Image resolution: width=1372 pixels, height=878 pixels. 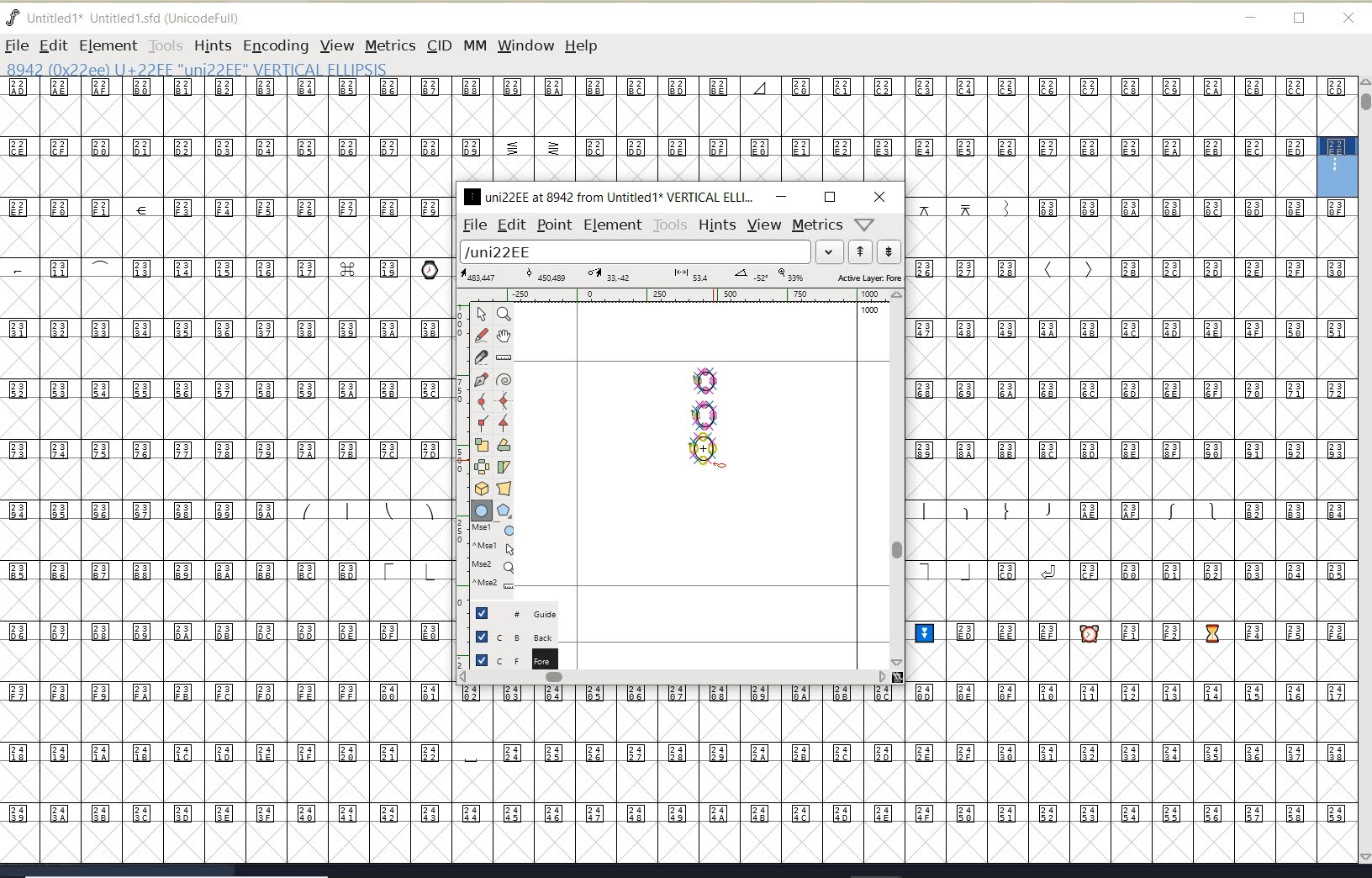 What do you see at coordinates (830, 197) in the screenshot?
I see `restore` at bounding box center [830, 197].